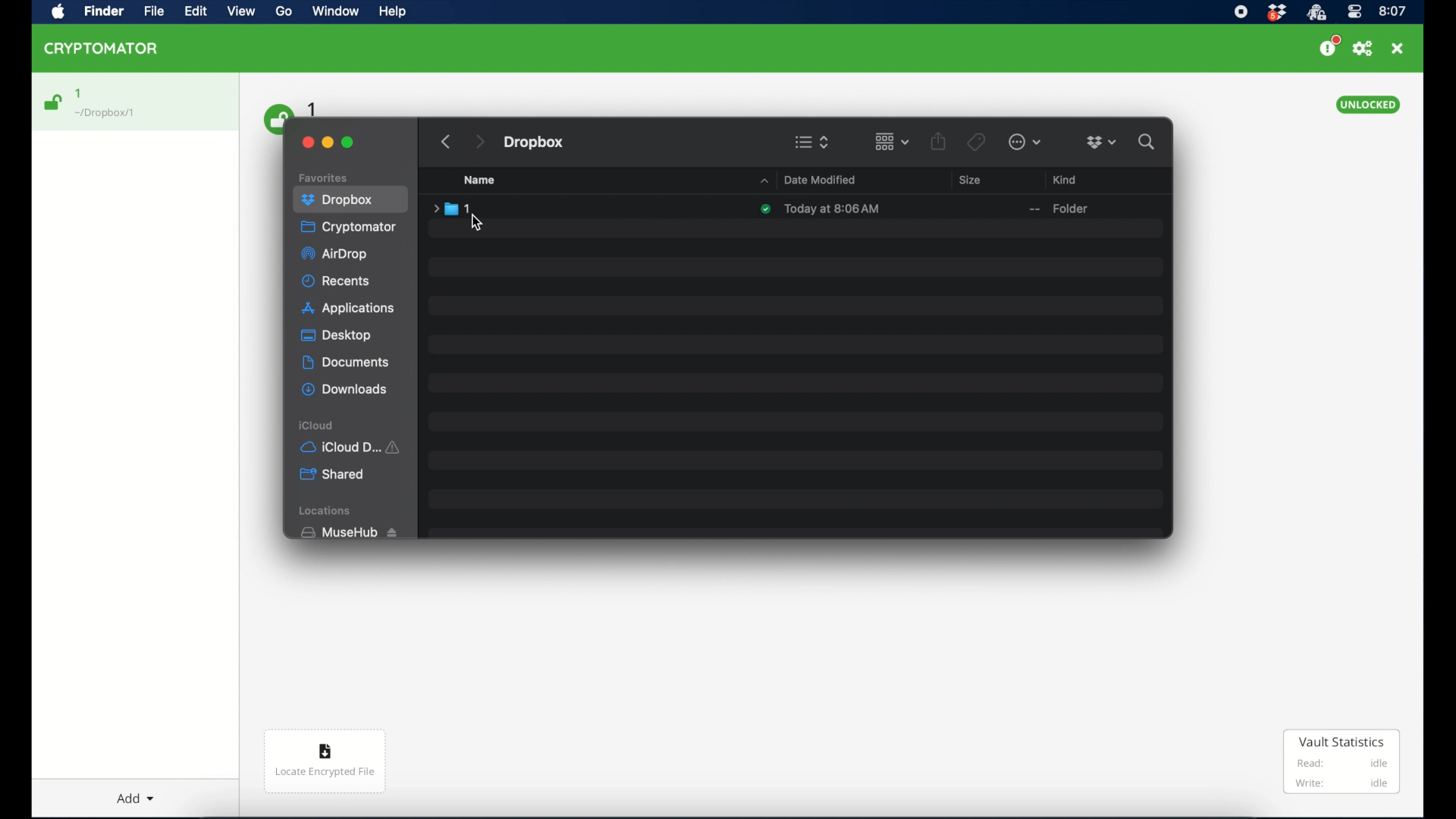 This screenshot has height=819, width=1456. What do you see at coordinates (336, 256) in the screenshot?
I see `airdrop` at bounding box center [336, 256].